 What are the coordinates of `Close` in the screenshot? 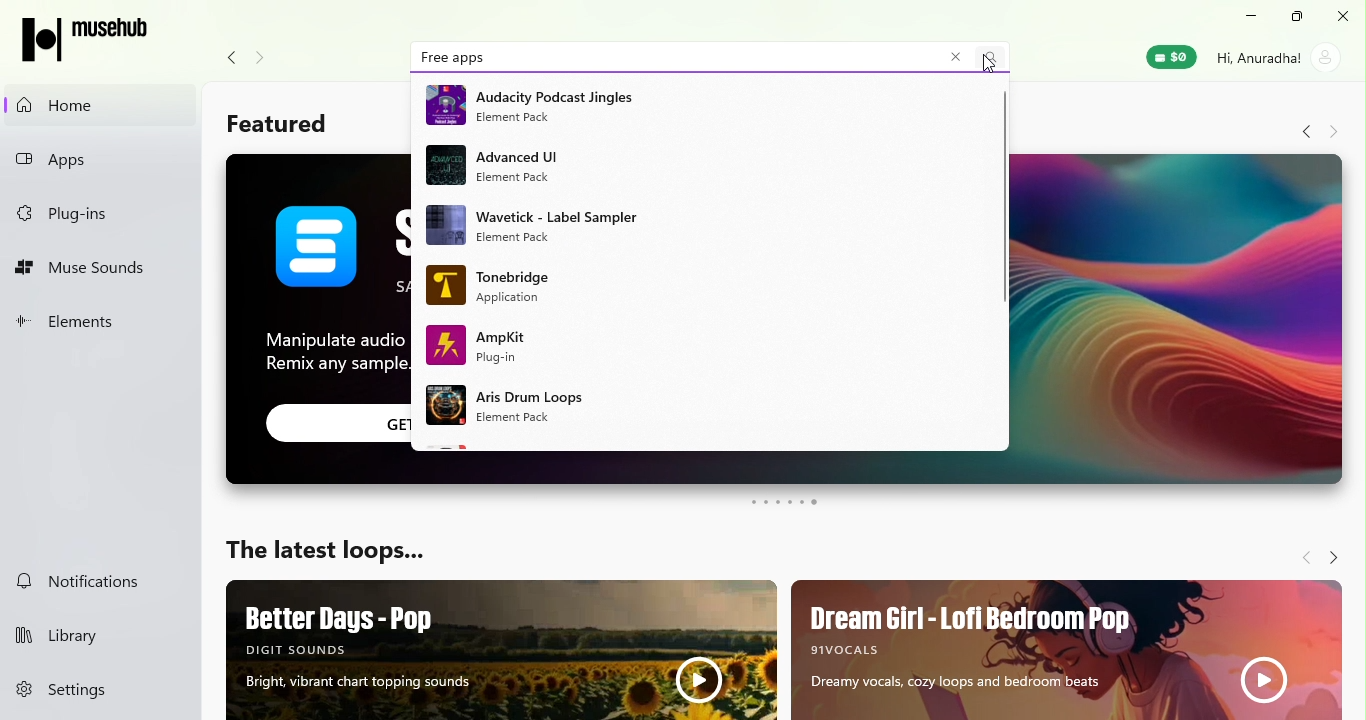 It's located at (1345, 17).